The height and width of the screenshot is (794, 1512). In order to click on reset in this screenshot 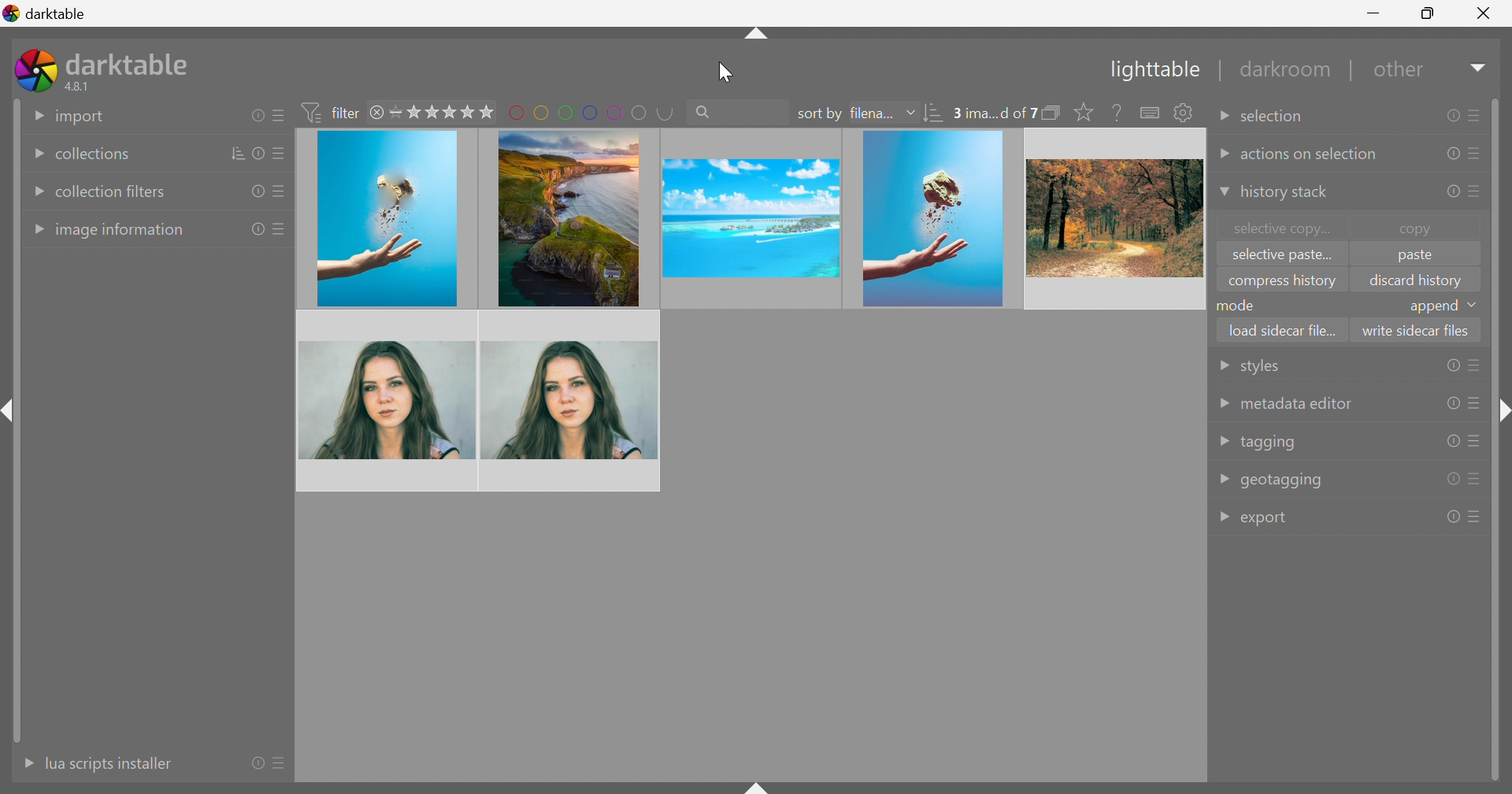, I will do `click(1451, 116)`.